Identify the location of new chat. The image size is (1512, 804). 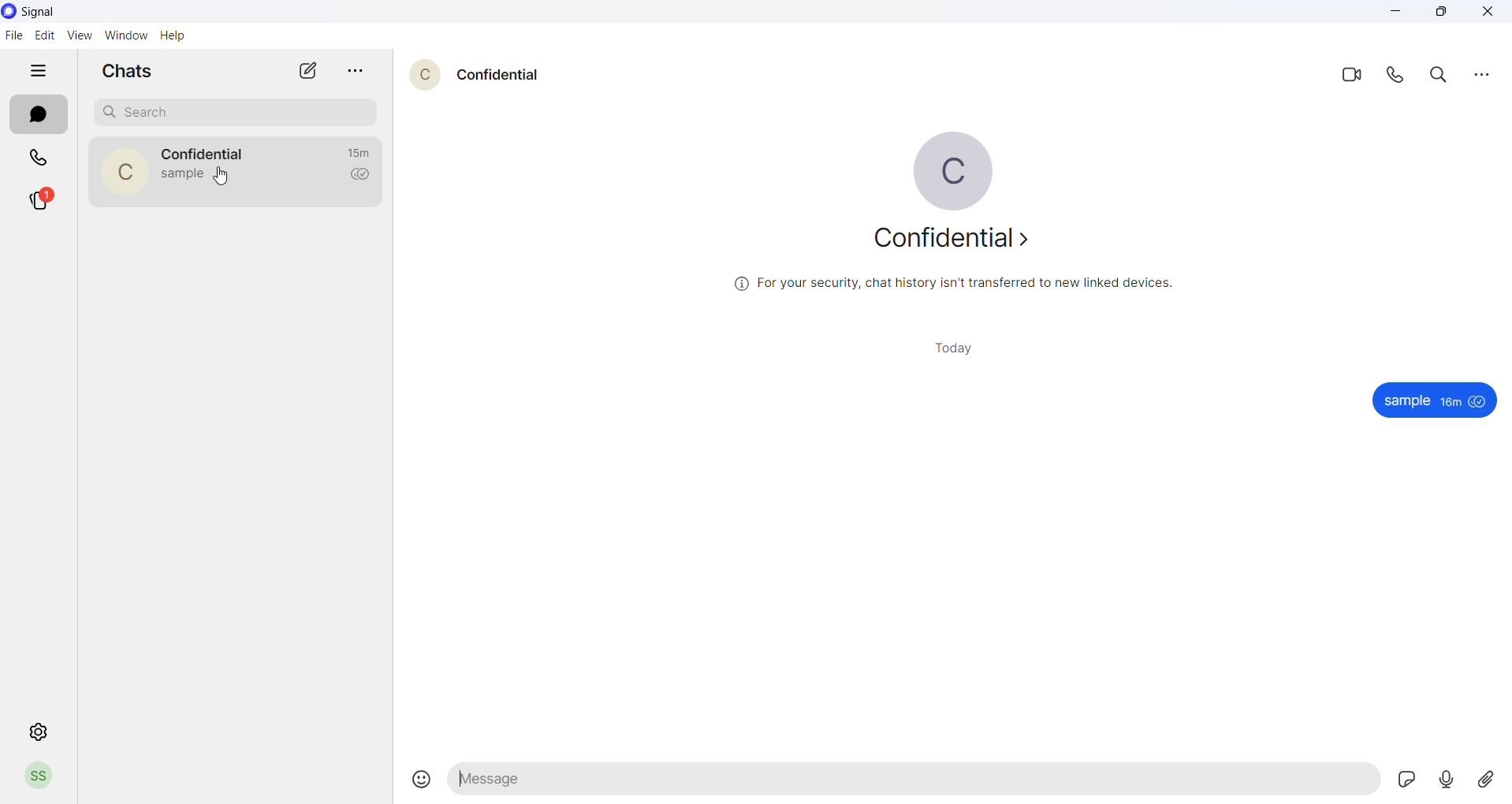
(301, 73).